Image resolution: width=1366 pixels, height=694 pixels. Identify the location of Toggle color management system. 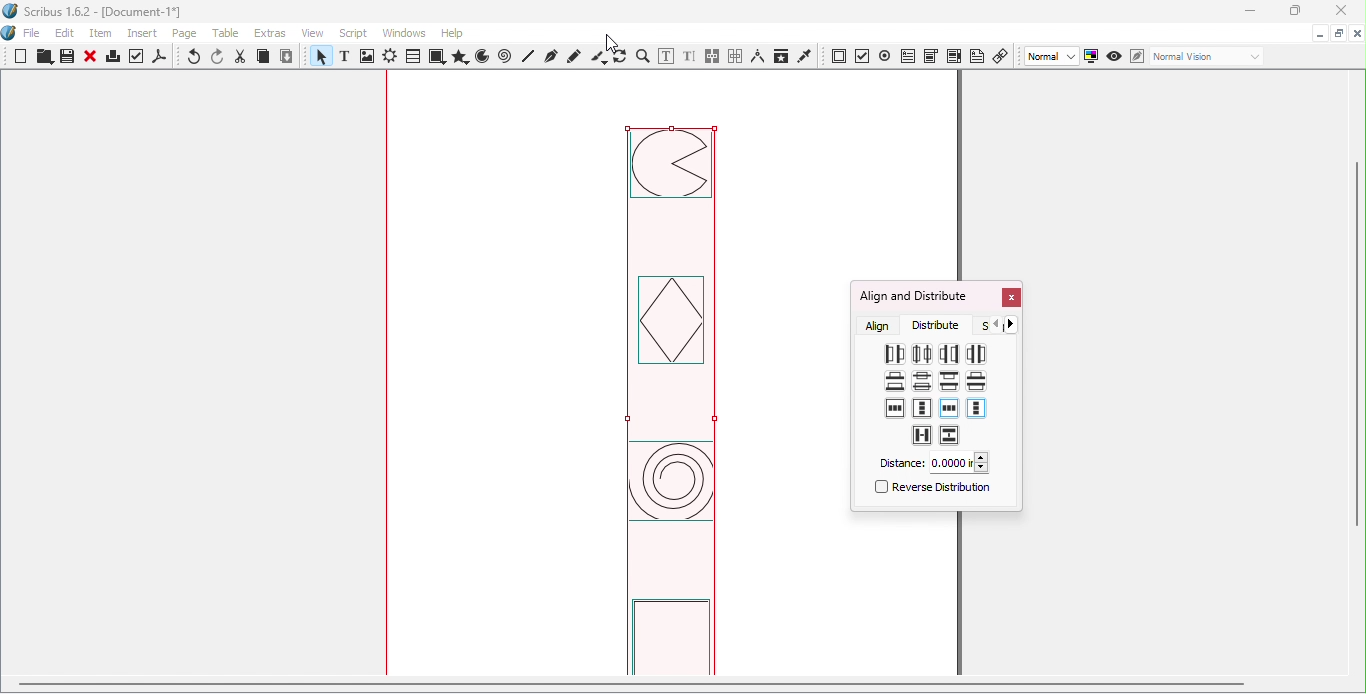
(1092, 55).